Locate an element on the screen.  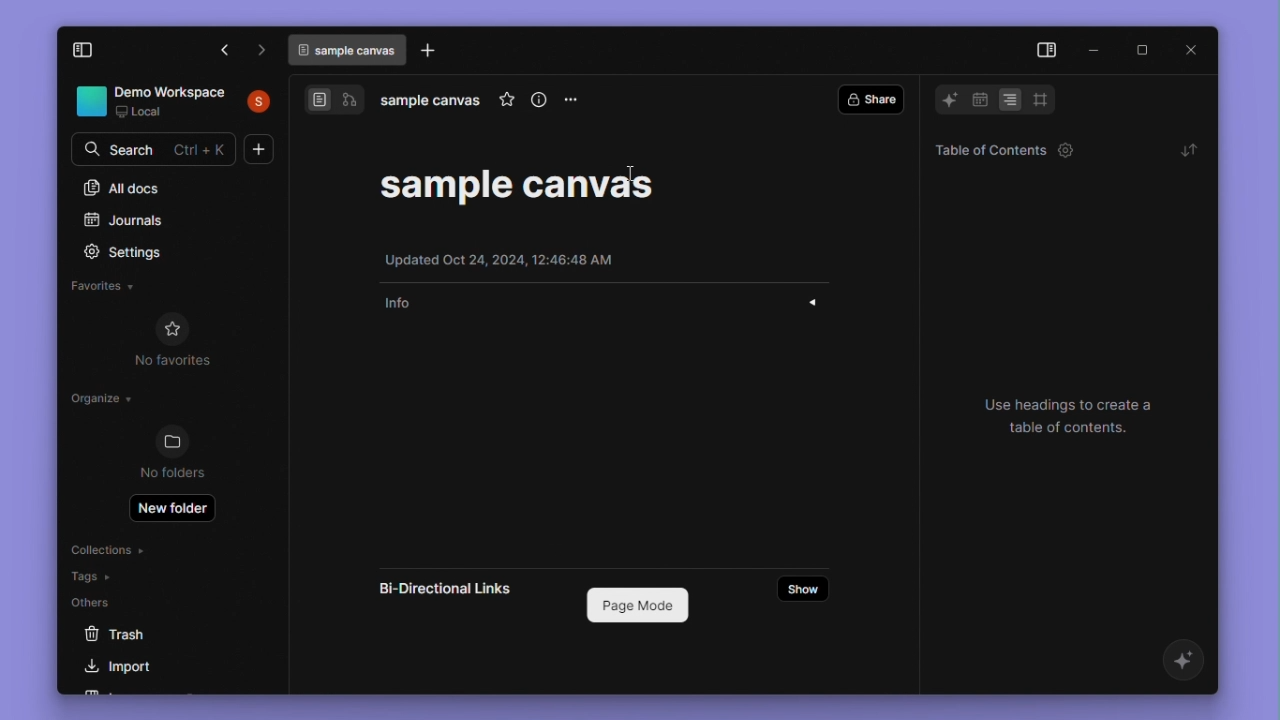
more options is located at coordinates (573, 107).